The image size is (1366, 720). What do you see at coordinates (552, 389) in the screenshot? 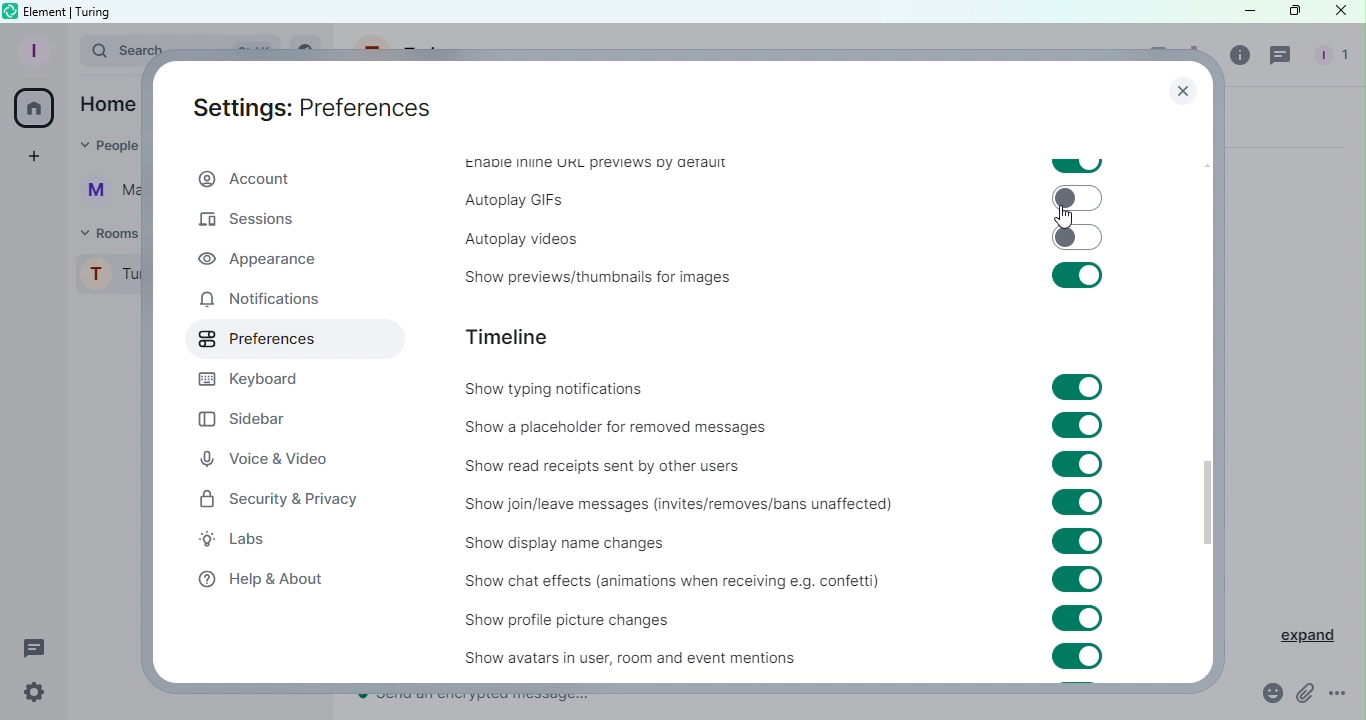
I see `Show typing notifications` at bounding box center [552, 389].